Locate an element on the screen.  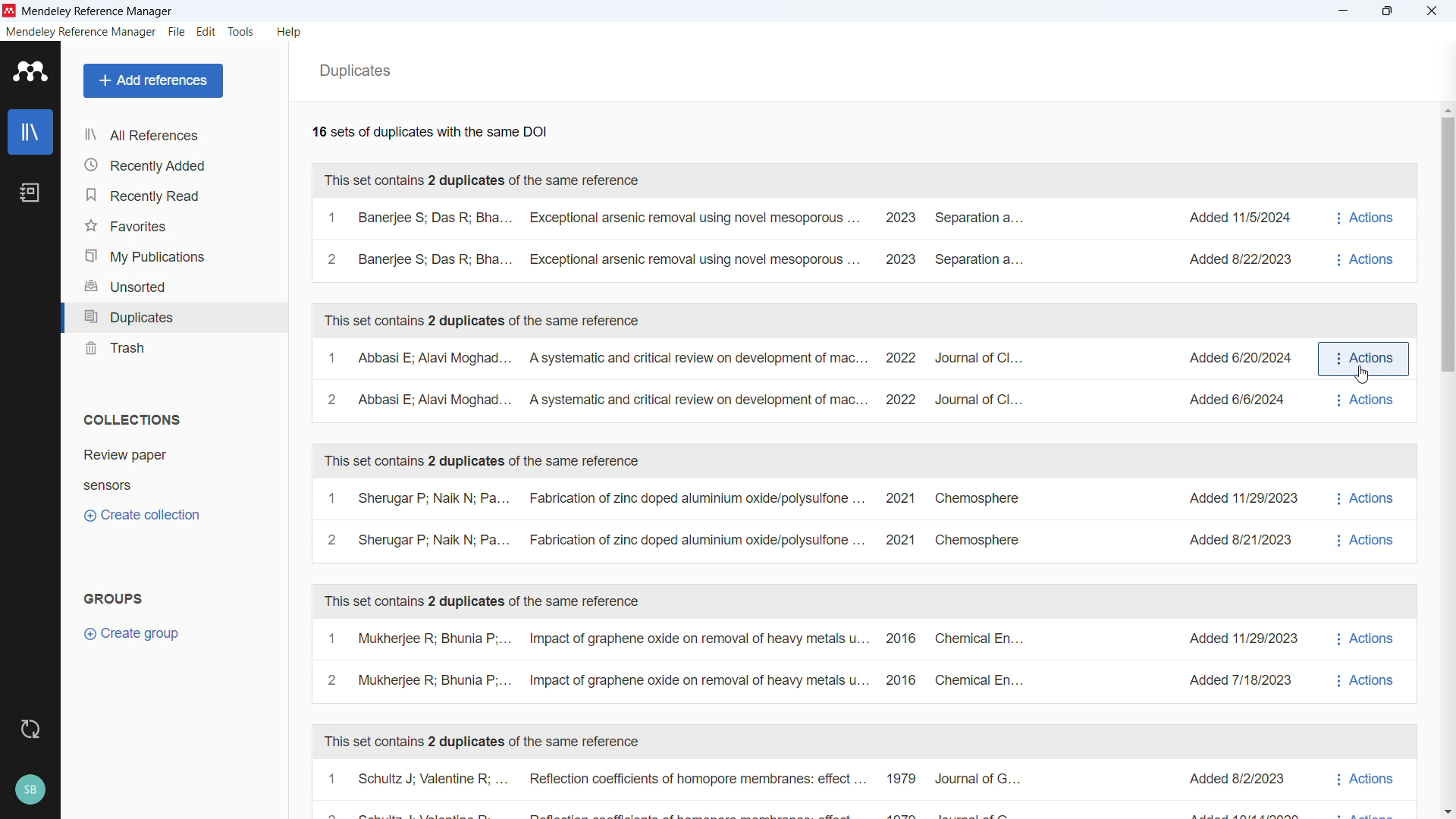
Cursor  is located at coordinates (1361, 375).